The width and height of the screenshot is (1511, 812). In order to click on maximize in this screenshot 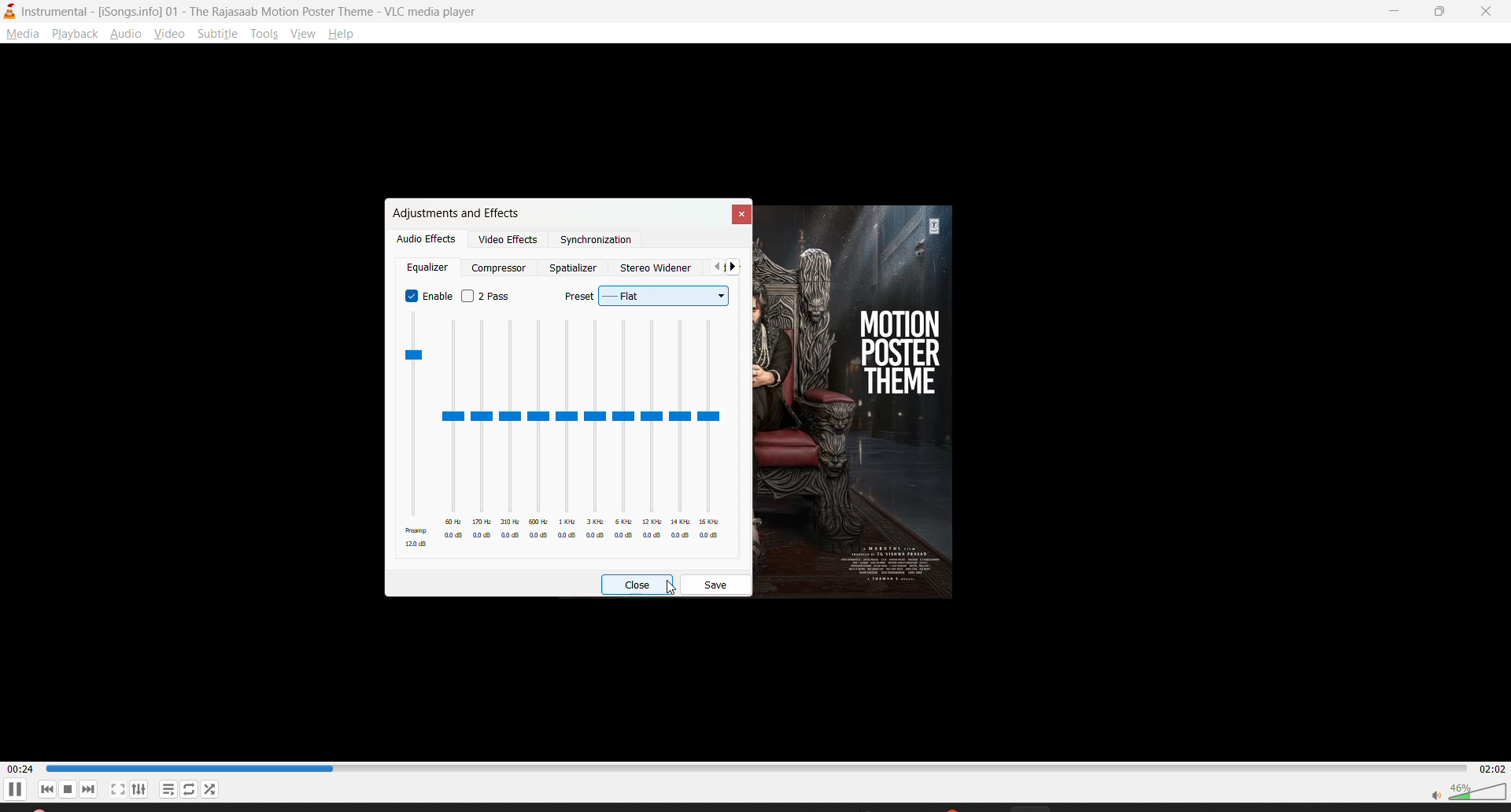, I will do `click(1444, 13)`.